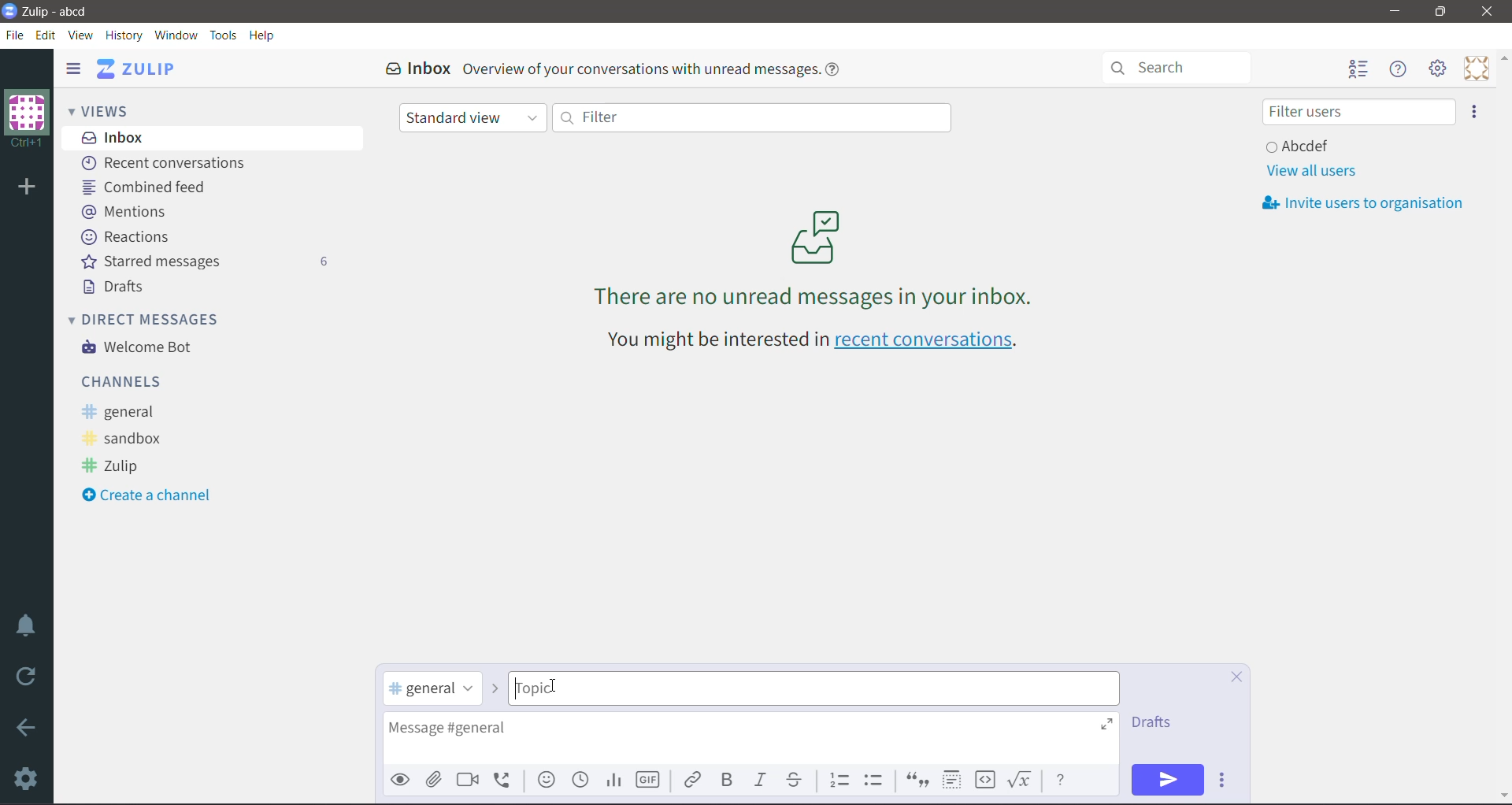  Describe the element at coordinates (141, 69) in the screenshot. I see `Application` at that location.